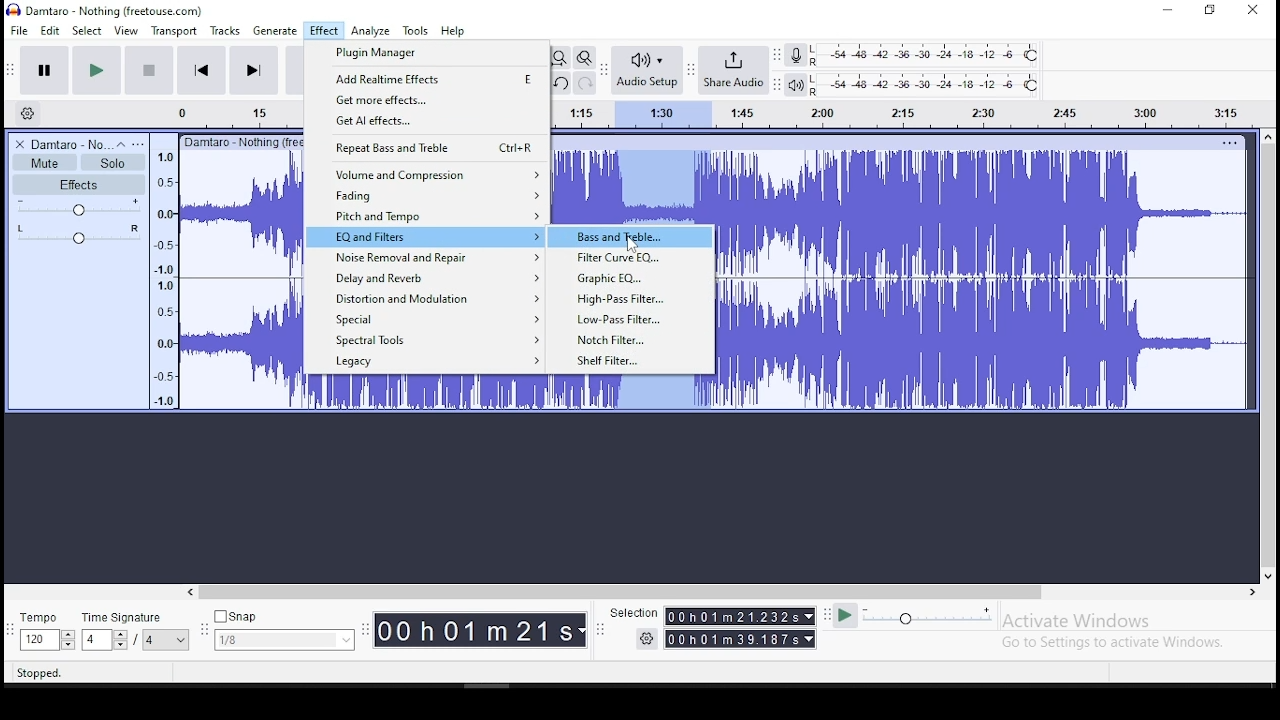 Image resolution: width=1280 pixels, height=720 pixels. What do you see at coordinates (174, 31) in the screenshot?
I see `transport` at bounding box center [174, 31].